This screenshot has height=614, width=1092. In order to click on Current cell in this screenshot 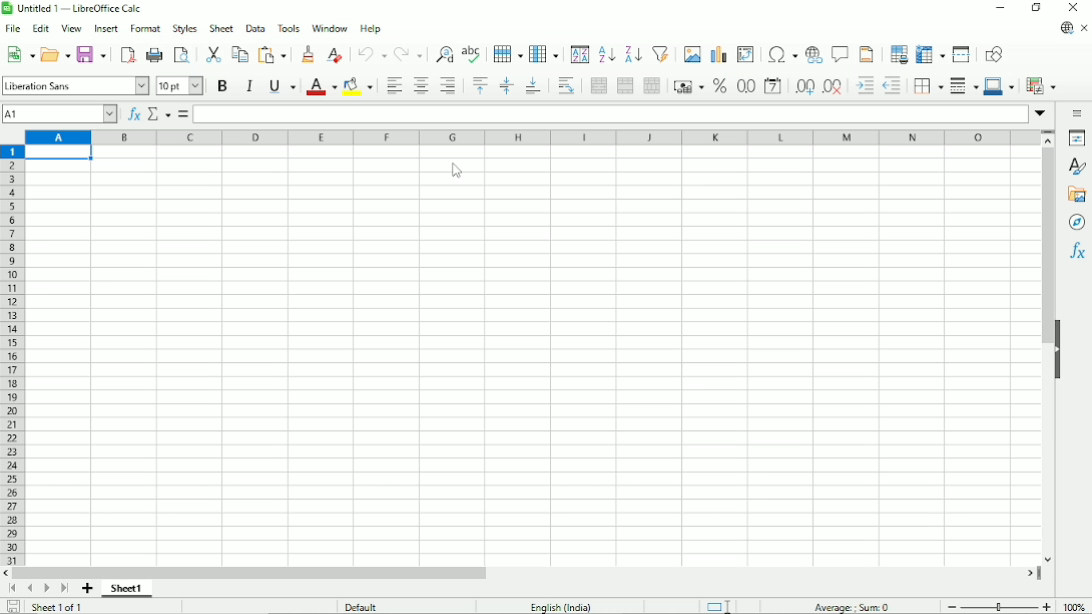, I will do `click(59, 113)`.